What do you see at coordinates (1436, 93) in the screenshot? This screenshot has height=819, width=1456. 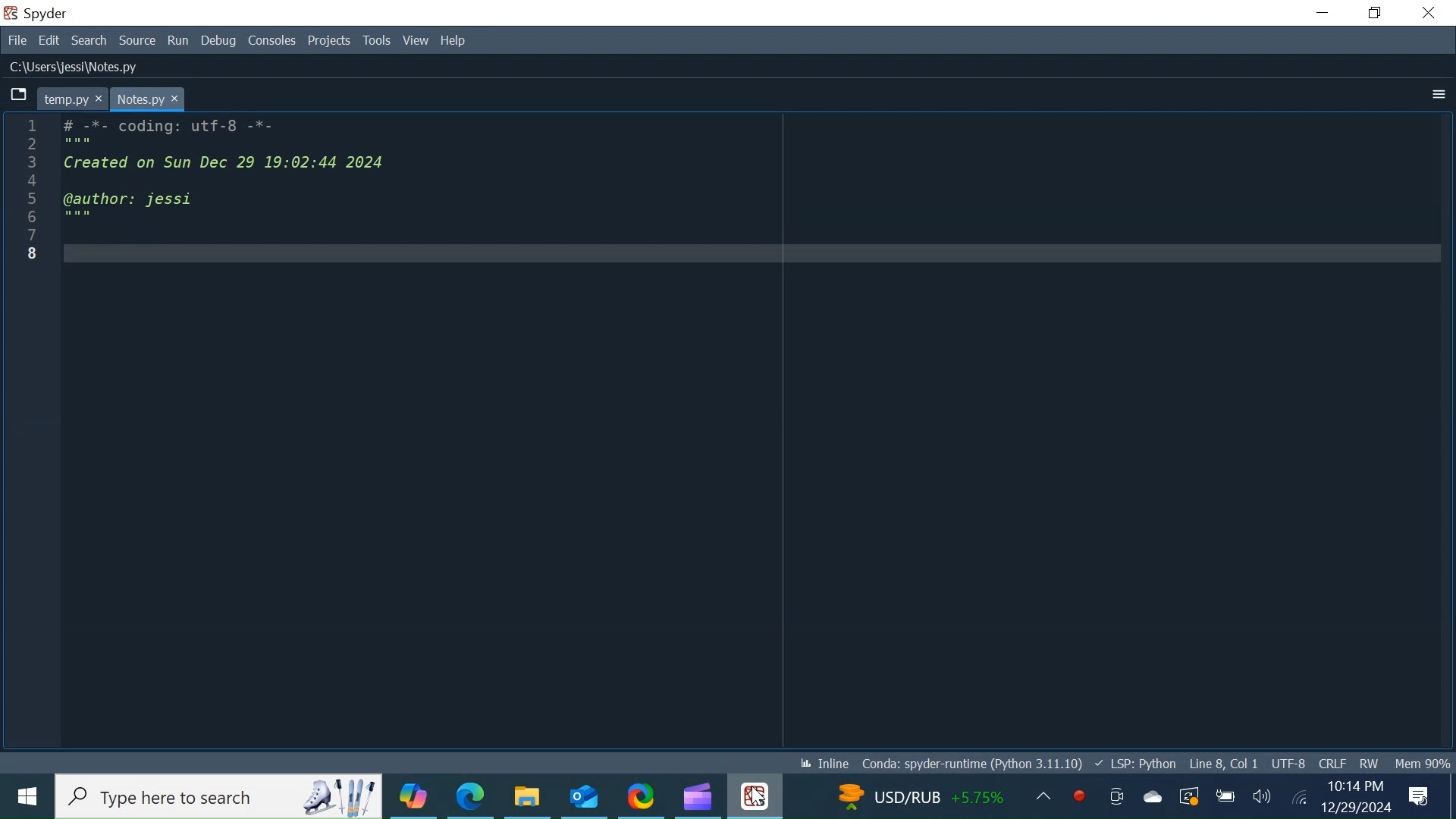 I see `More Options` at bounding box center [1436, 93].